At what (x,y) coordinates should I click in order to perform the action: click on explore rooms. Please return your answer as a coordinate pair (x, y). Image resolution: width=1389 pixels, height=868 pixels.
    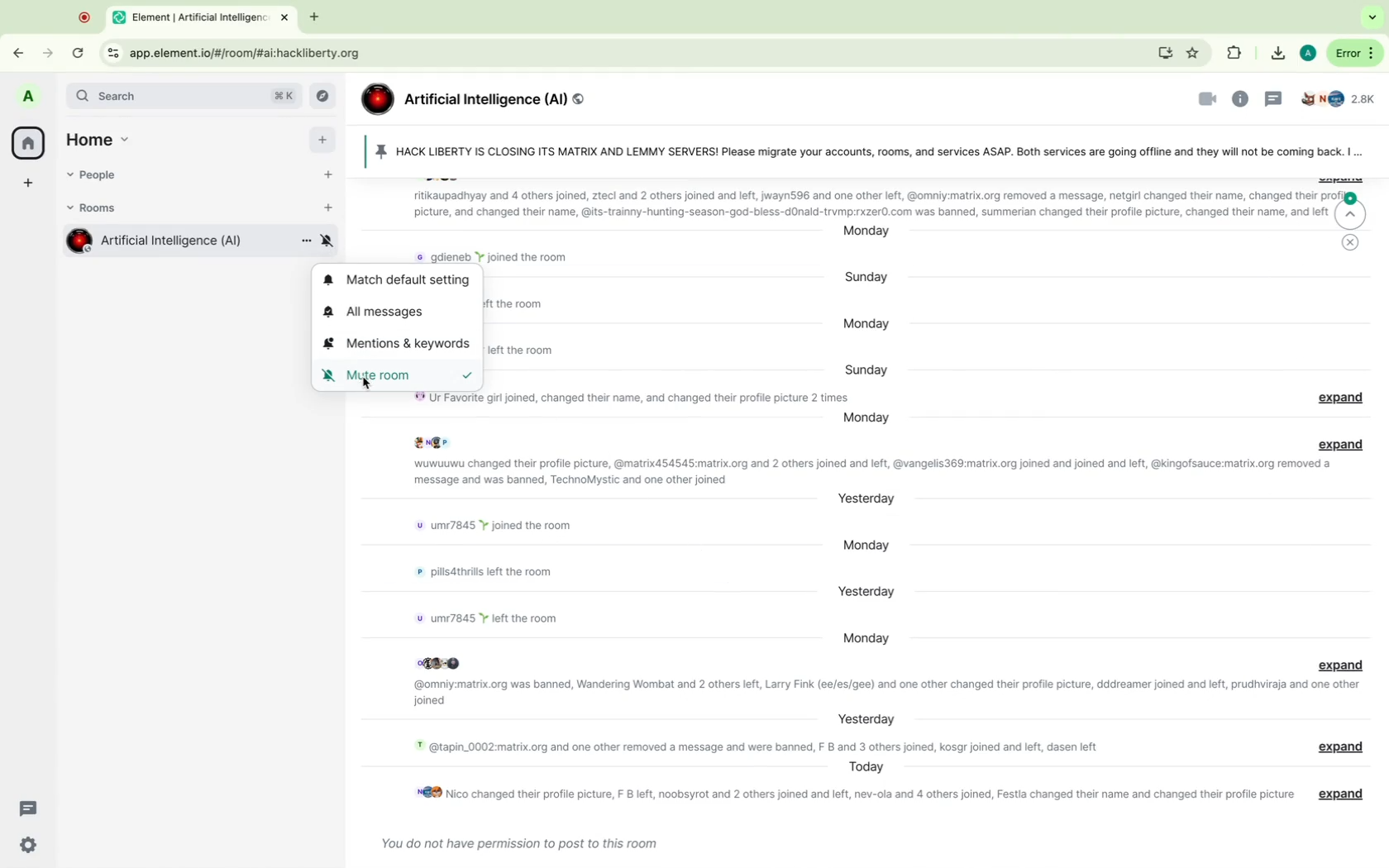
    Looking at the image, I should click on (323, 96).